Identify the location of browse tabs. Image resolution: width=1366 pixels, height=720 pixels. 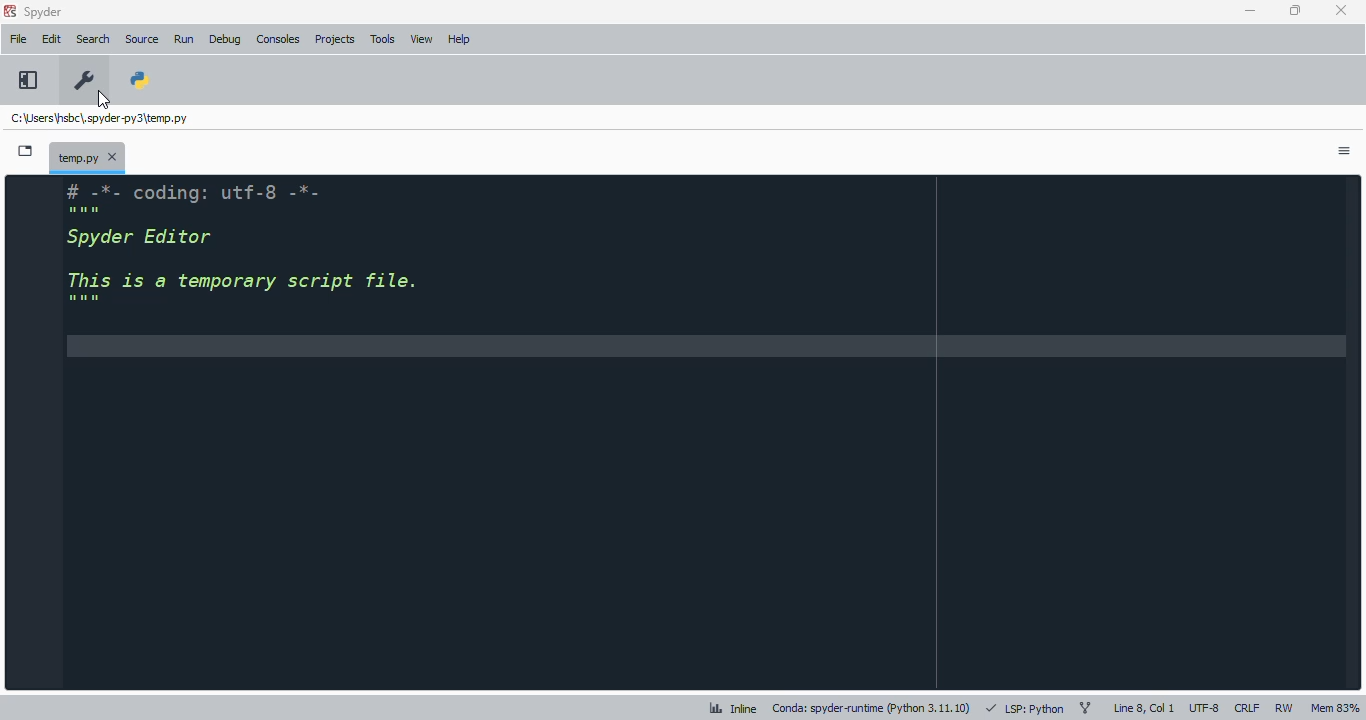
(26, 151).